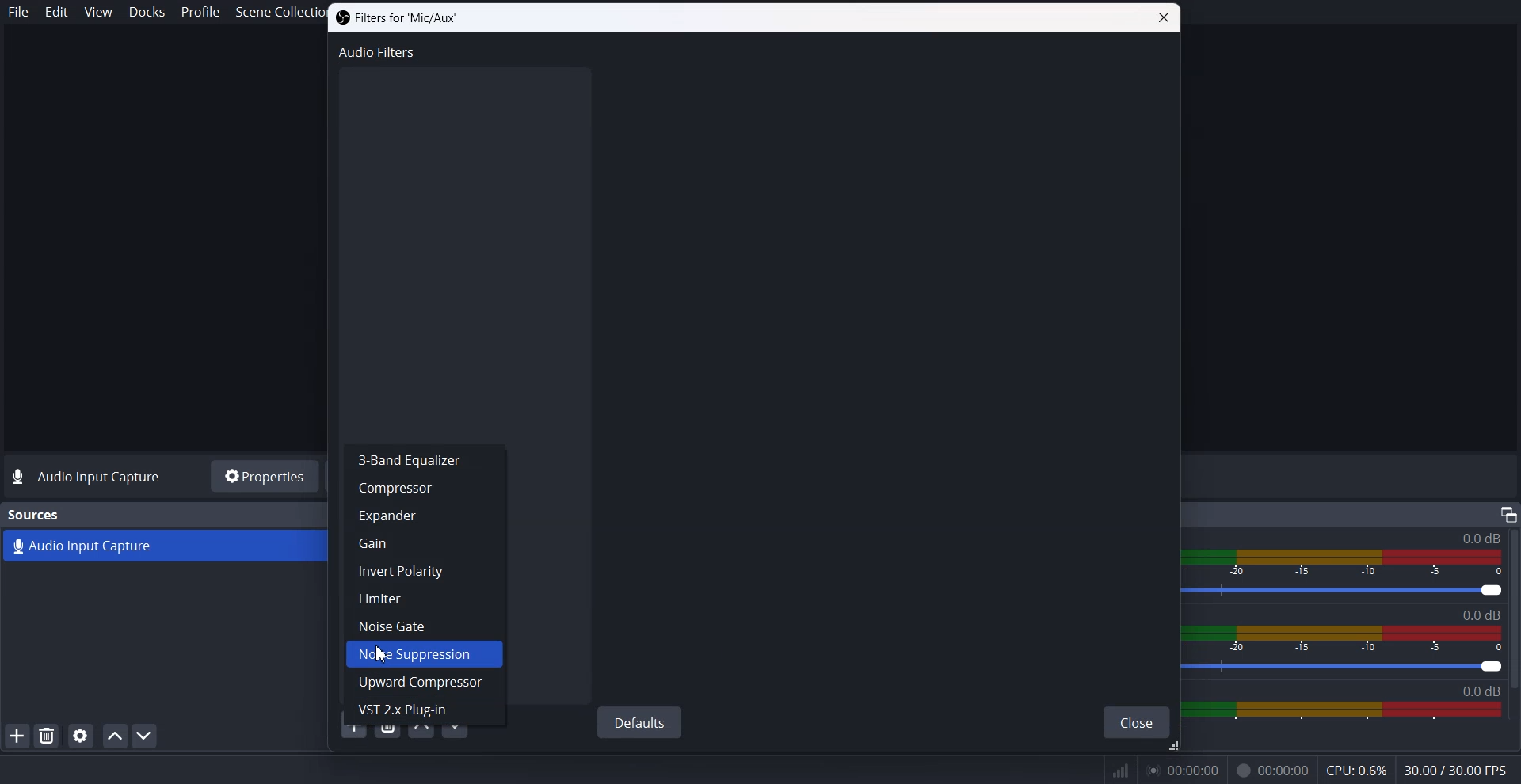 The width and height of the screenshot is (1521, 784). Describe the element at coordinates (1174, 748) in the screenshot. I see `Drag handle` at that location.